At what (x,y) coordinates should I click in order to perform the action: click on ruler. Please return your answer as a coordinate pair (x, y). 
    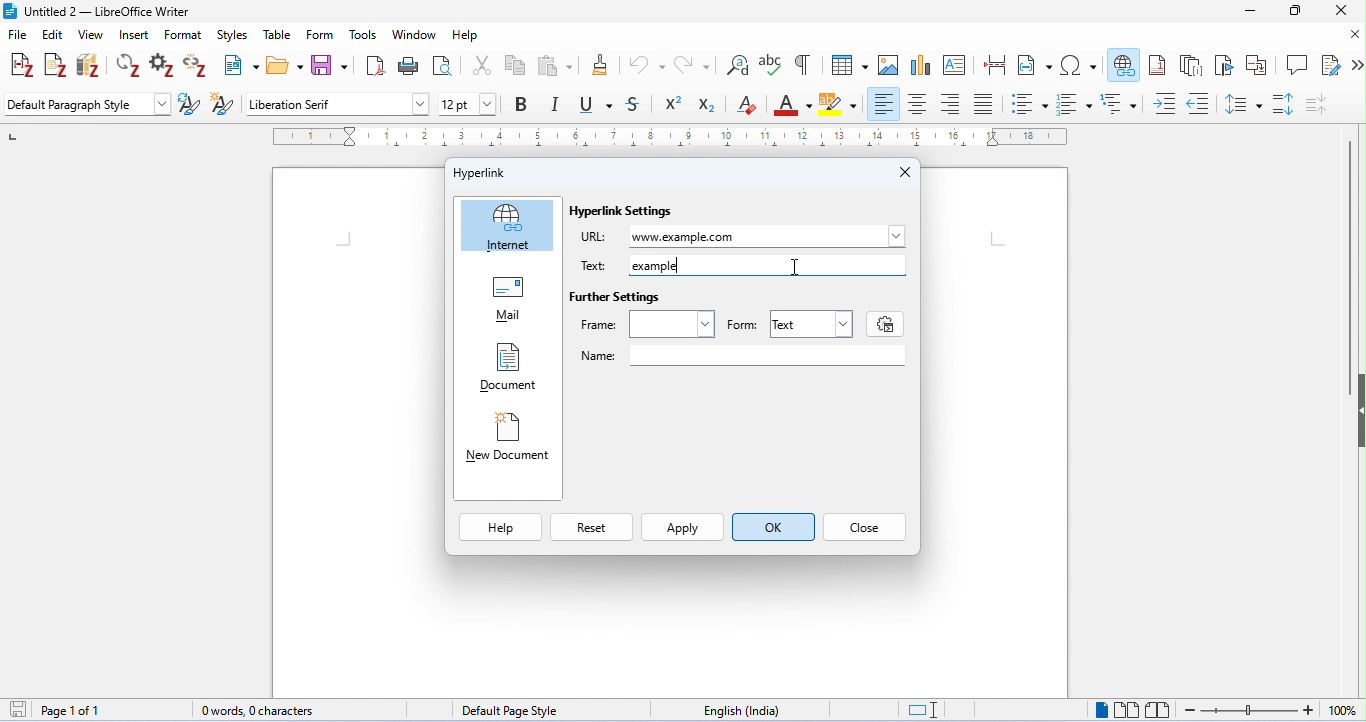
    Looking at the image, I should click on (670, 137).